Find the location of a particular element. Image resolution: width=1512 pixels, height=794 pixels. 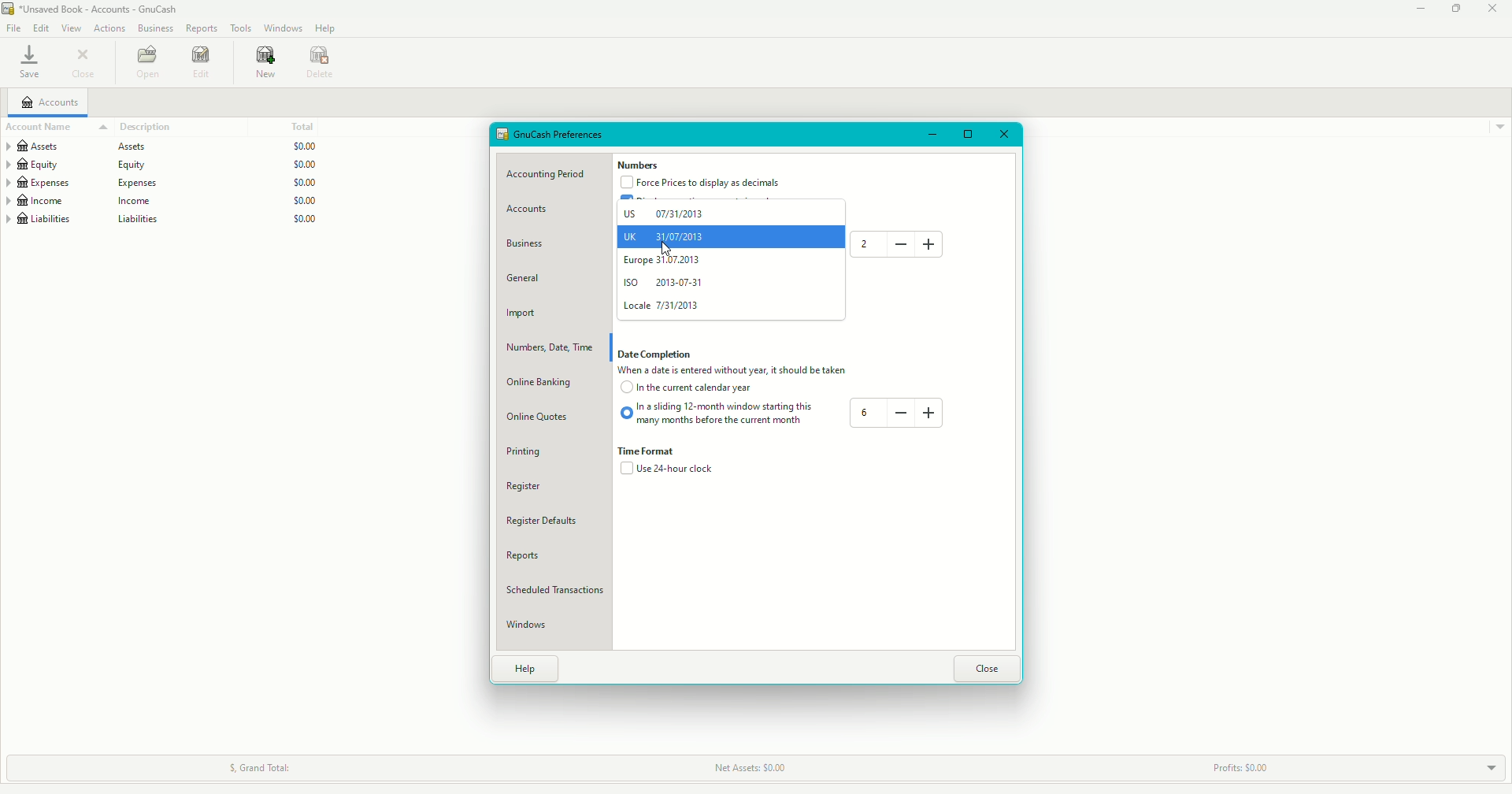

GnuCash Properties is located at coordinates (559, 135).